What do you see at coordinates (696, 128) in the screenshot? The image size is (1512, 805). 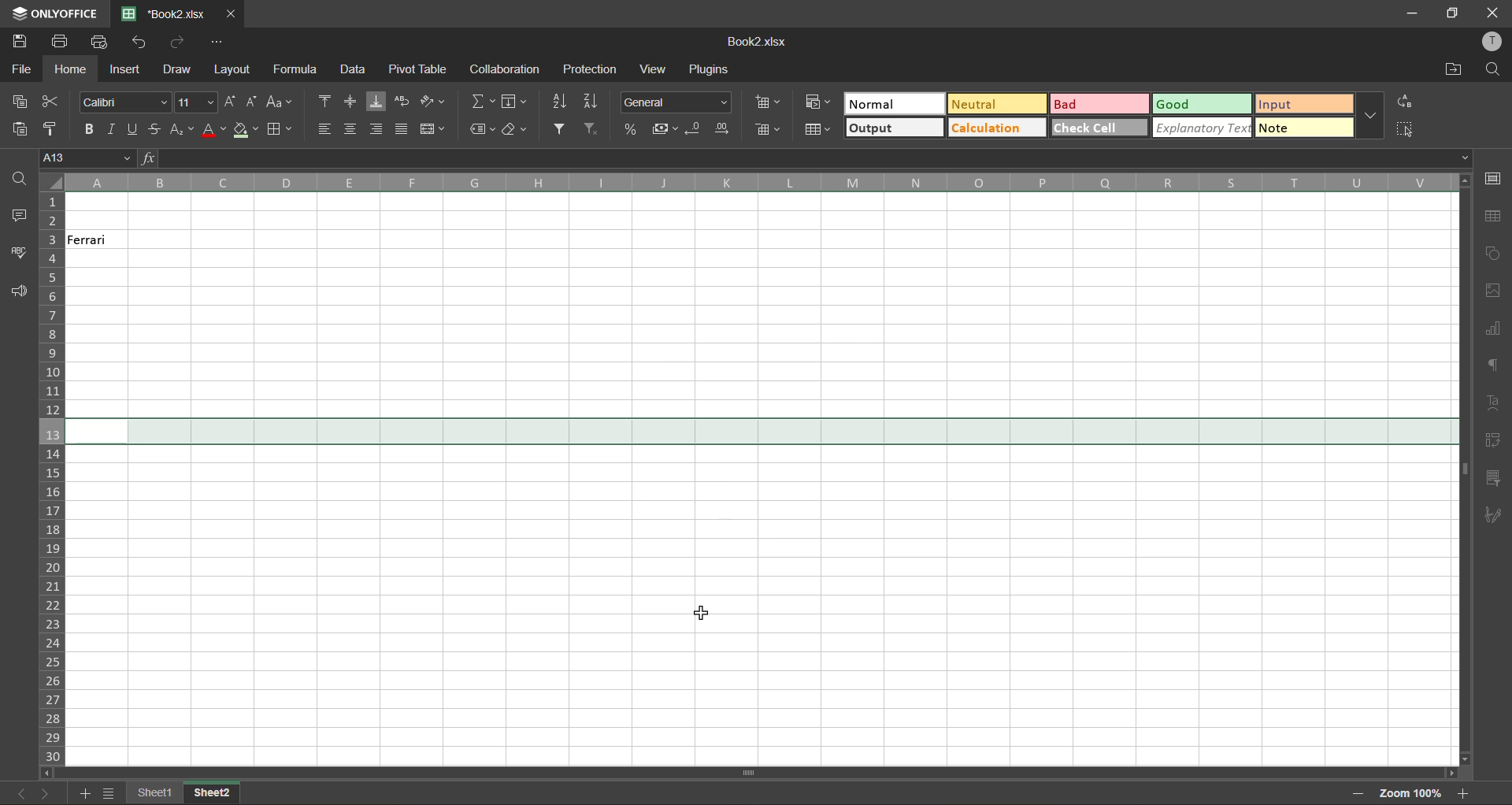 I see `decrease decimal` at bounding box center [696, 128].